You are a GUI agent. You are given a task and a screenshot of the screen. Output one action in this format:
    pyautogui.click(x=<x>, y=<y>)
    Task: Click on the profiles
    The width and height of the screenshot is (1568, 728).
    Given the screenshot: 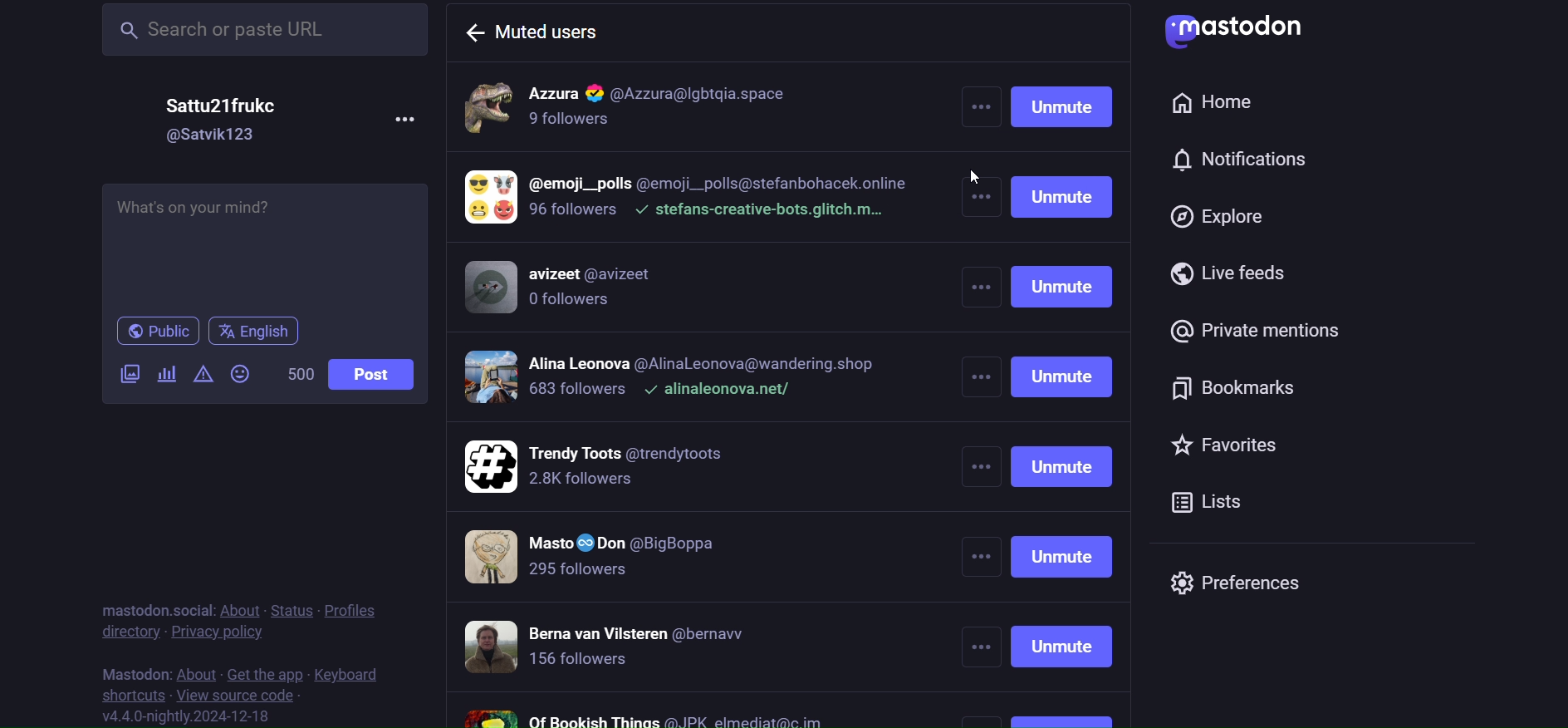 What is the action you would take?
    pyautogui.click(x=350, y=611)
    